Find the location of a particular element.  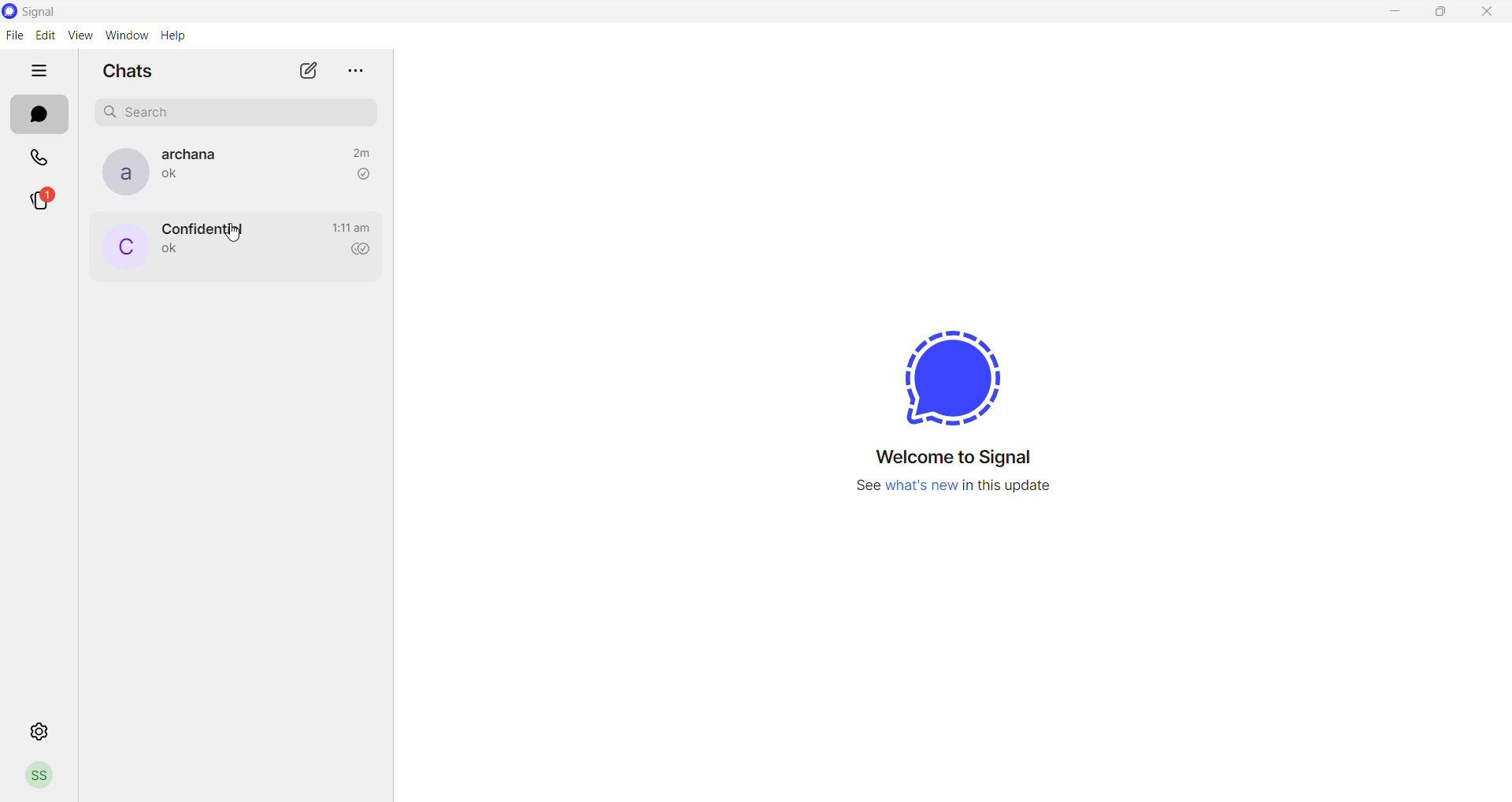

information regarding new message is located at coordinates (962, 492).